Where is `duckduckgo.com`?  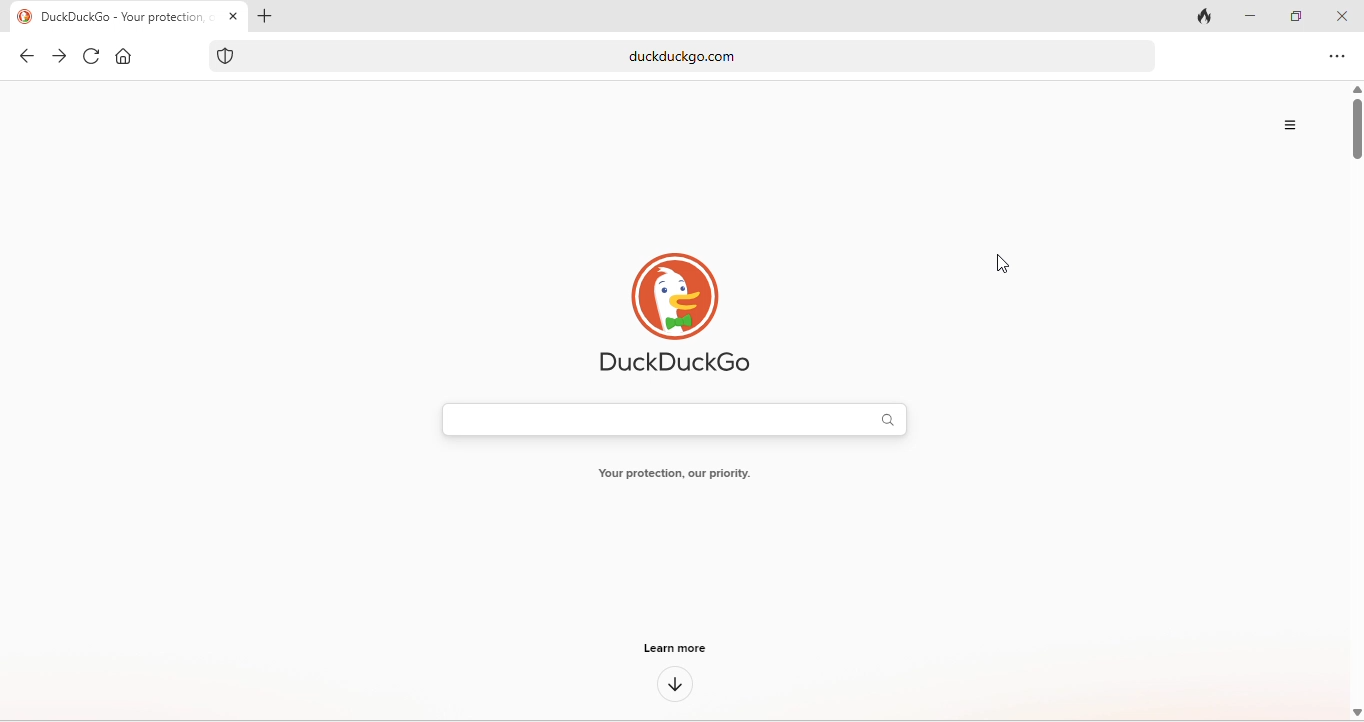
duckduckgo.com is located at coordinates (711, 55).